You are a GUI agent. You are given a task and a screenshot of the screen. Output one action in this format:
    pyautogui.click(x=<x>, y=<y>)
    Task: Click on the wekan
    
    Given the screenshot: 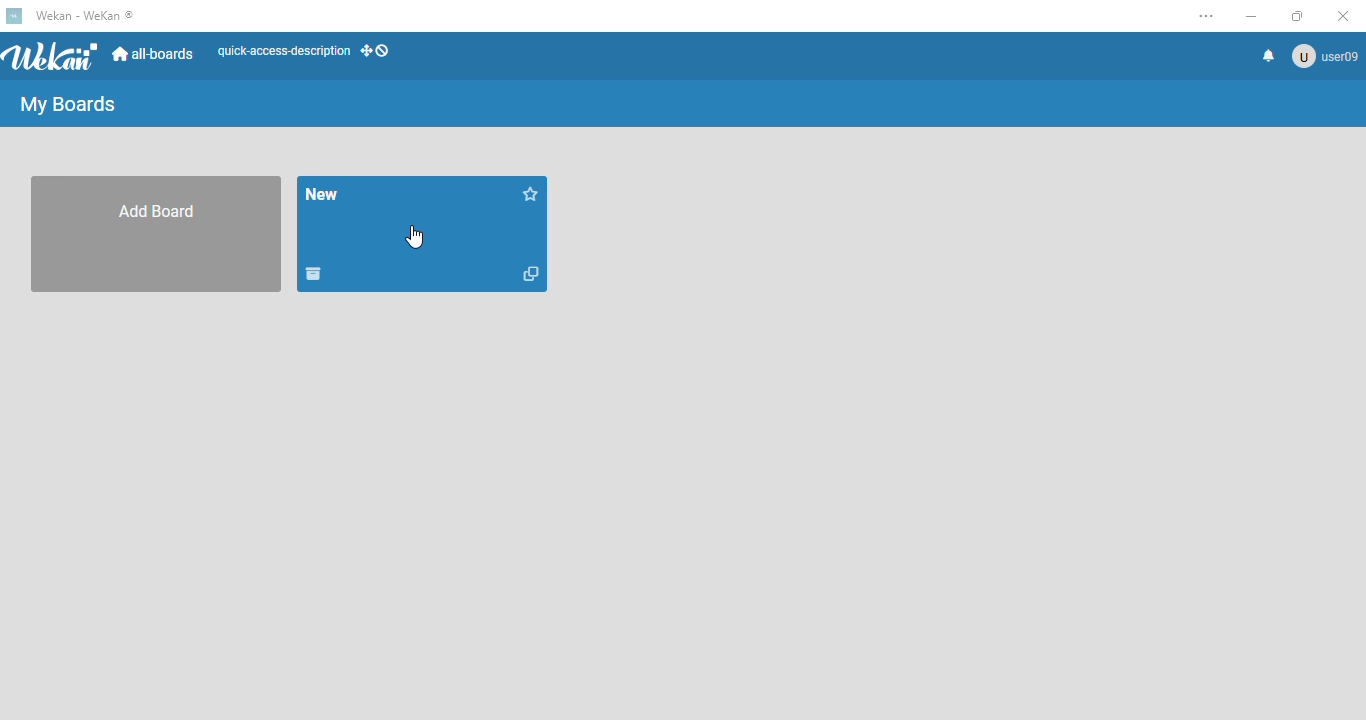 What is the action you would take?
    pyautogui.click(x=51, y=55)
    